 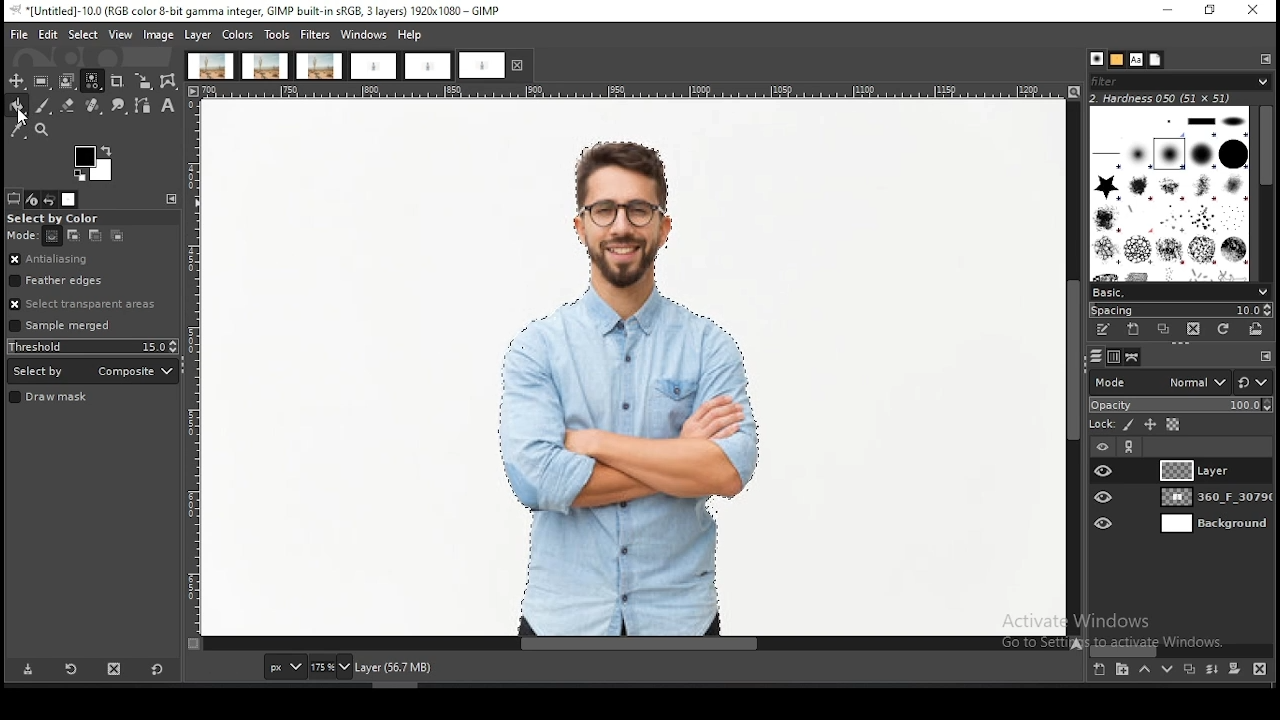 What do you see at coordinates (68, 282) in the screenshot?
I see `feather edges` at bounding box center [68, 282].